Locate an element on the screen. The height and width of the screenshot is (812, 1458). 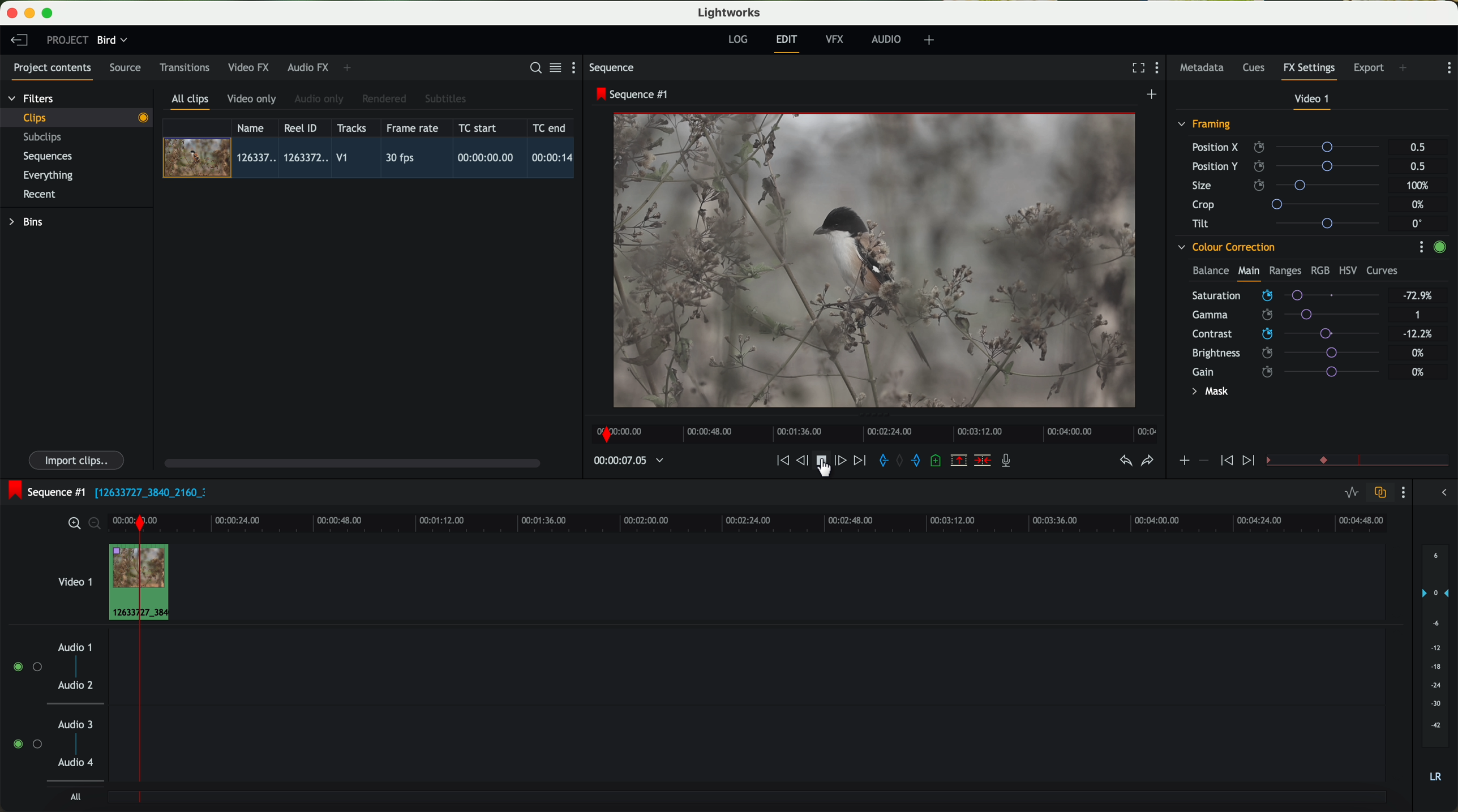
transition is located at coordinates (1374, 461).